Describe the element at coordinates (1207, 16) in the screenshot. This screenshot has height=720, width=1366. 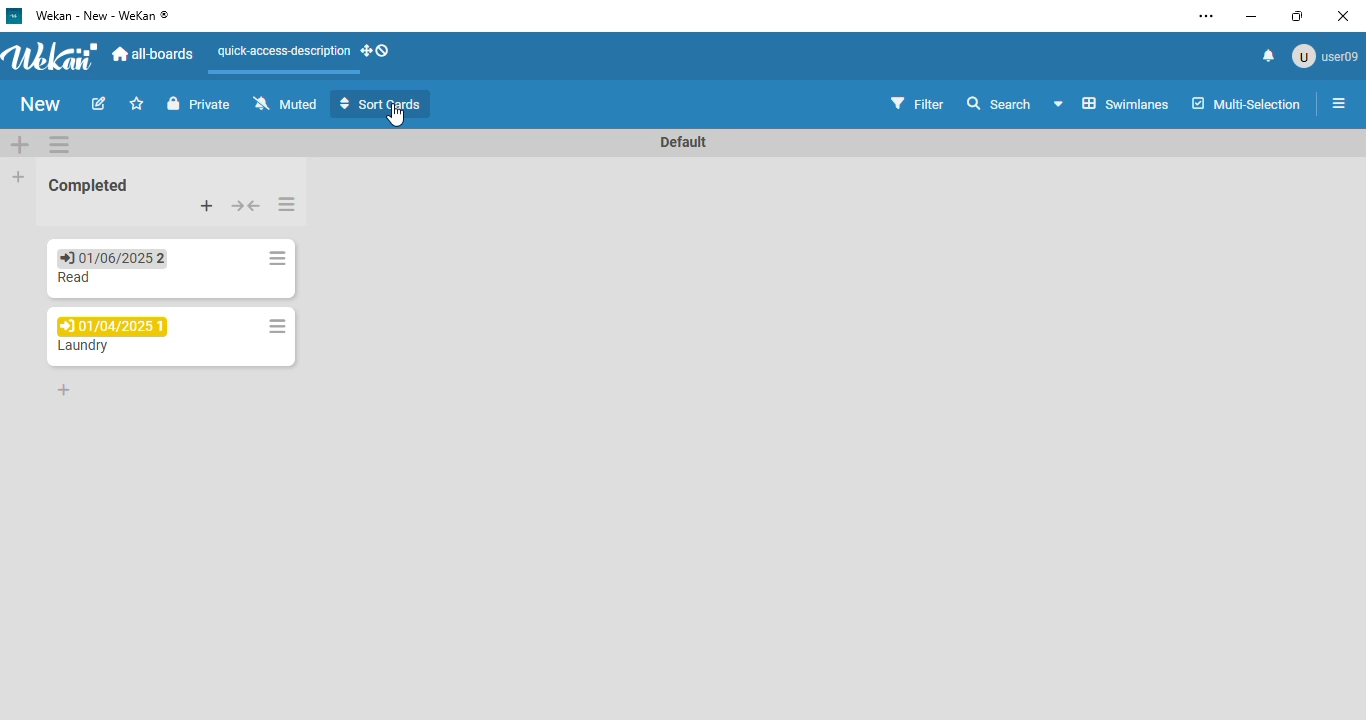
I see `settings and more` at that location.